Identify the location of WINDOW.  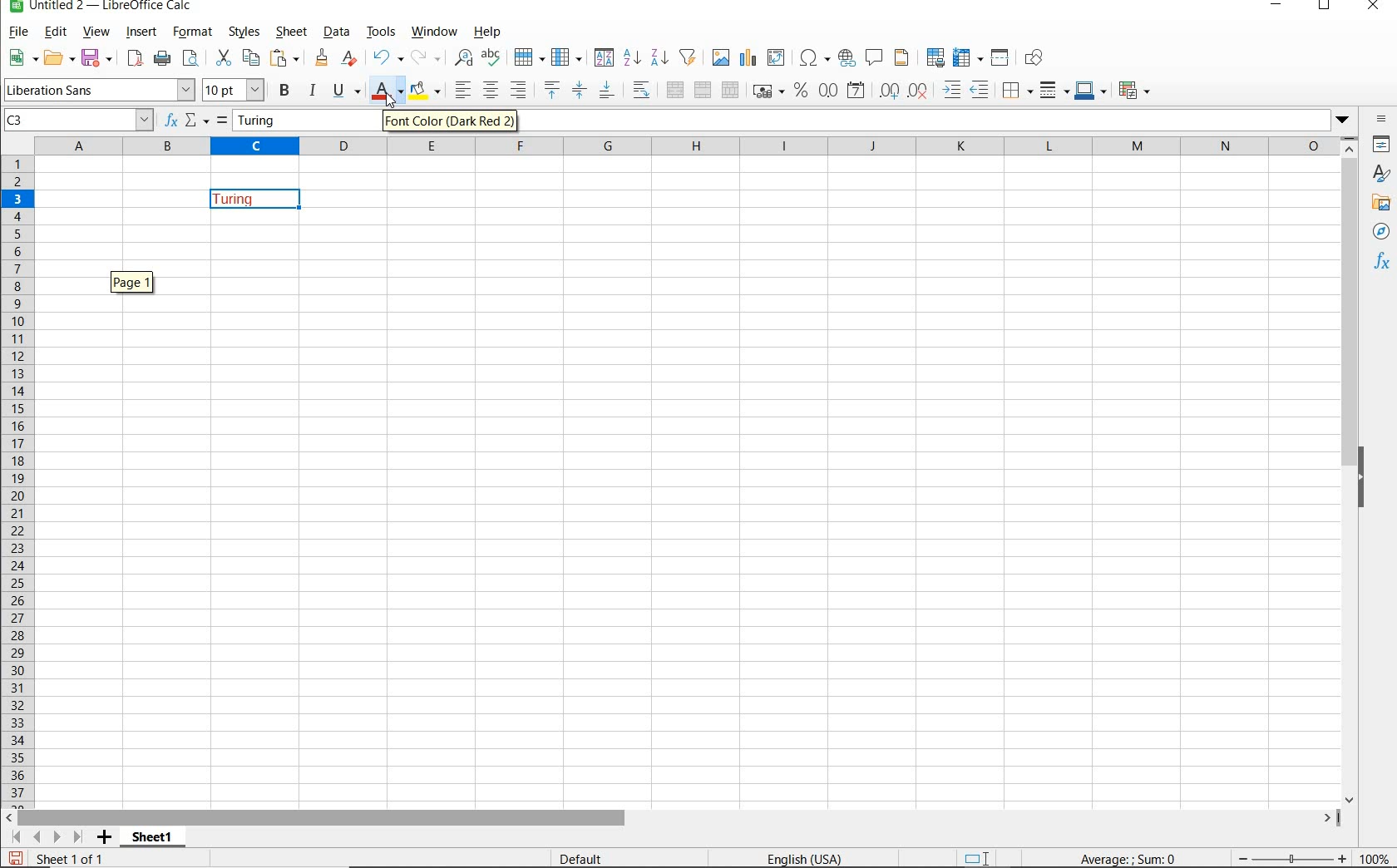
(437, 33).